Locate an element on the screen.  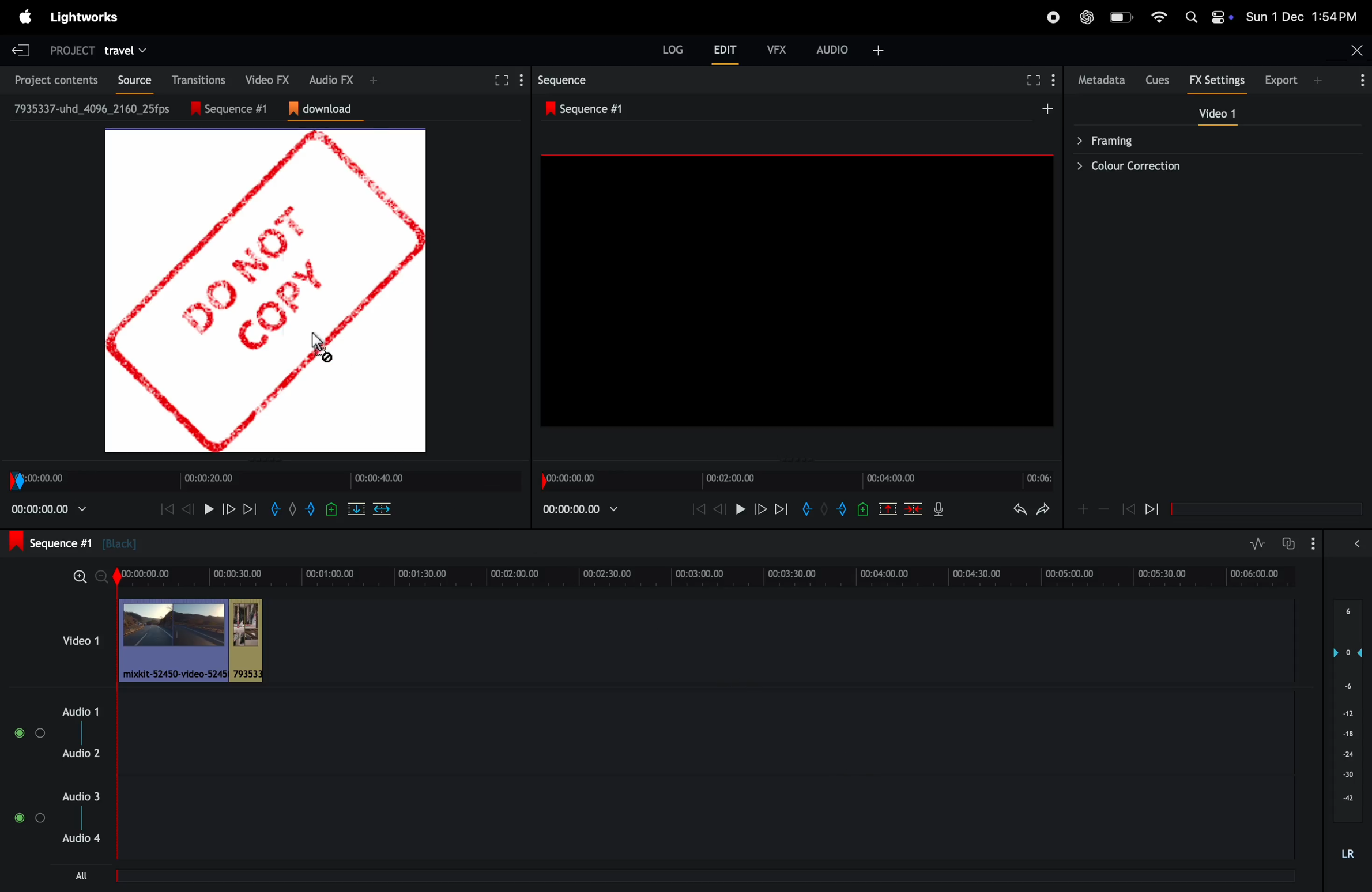
Add is located at coordinates (293, 509).